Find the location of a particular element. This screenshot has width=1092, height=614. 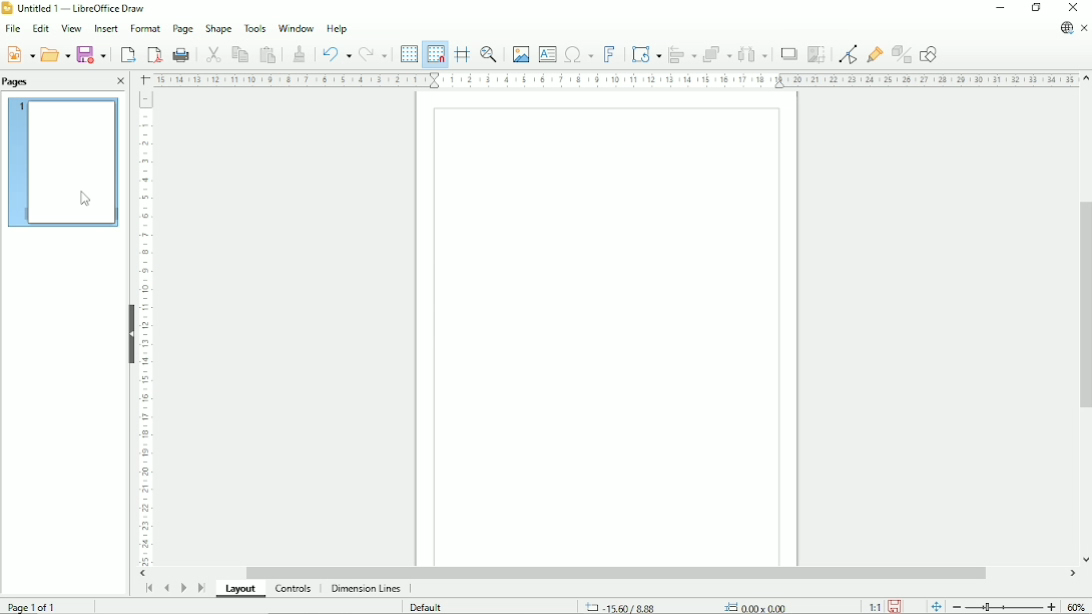

Scroll to last page is located at coordinates (202, 587).